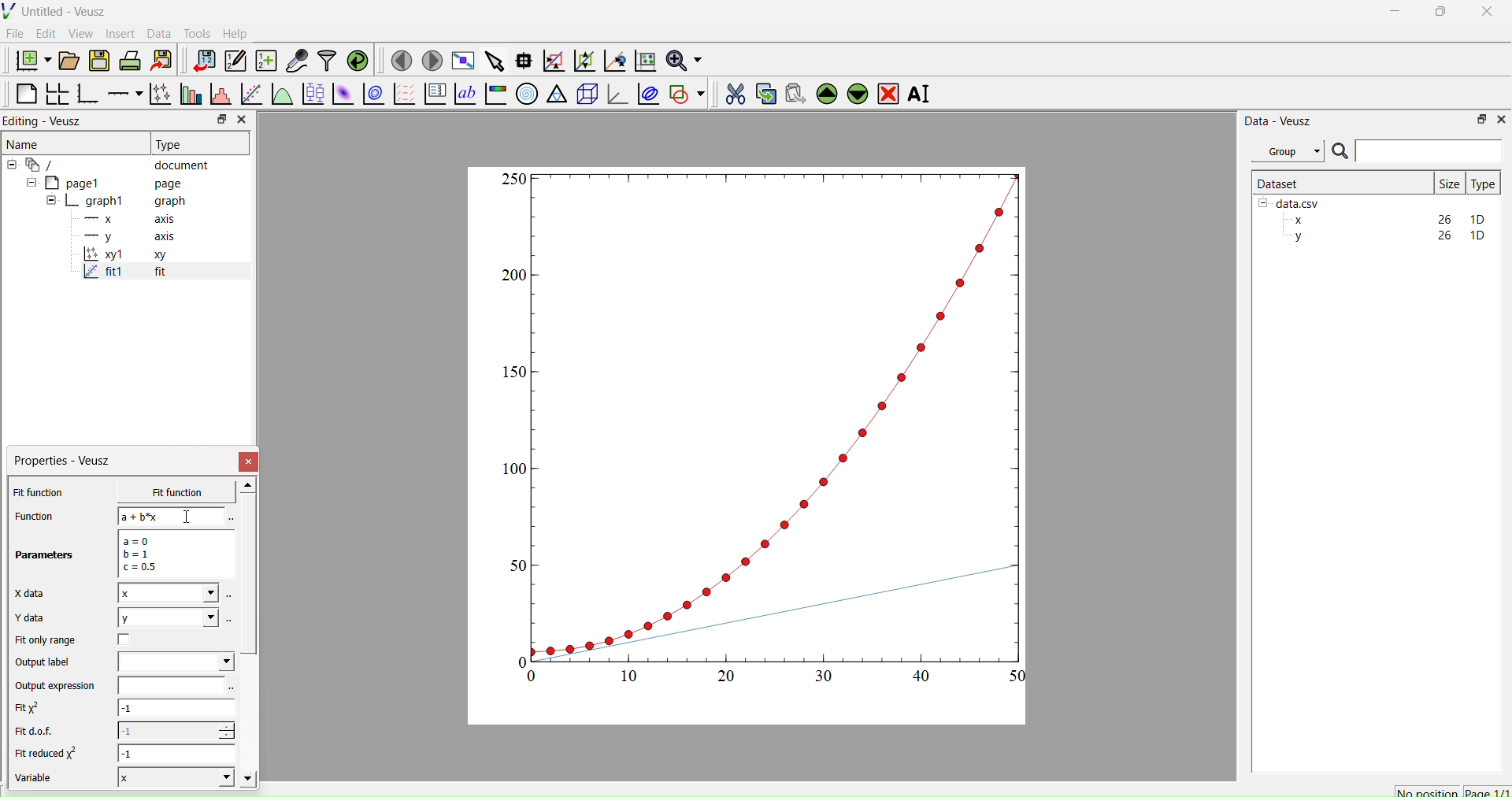 Image resolution: width=1512 pixels, height=797 pixels. I want to click on Input, so click(1429, 150).